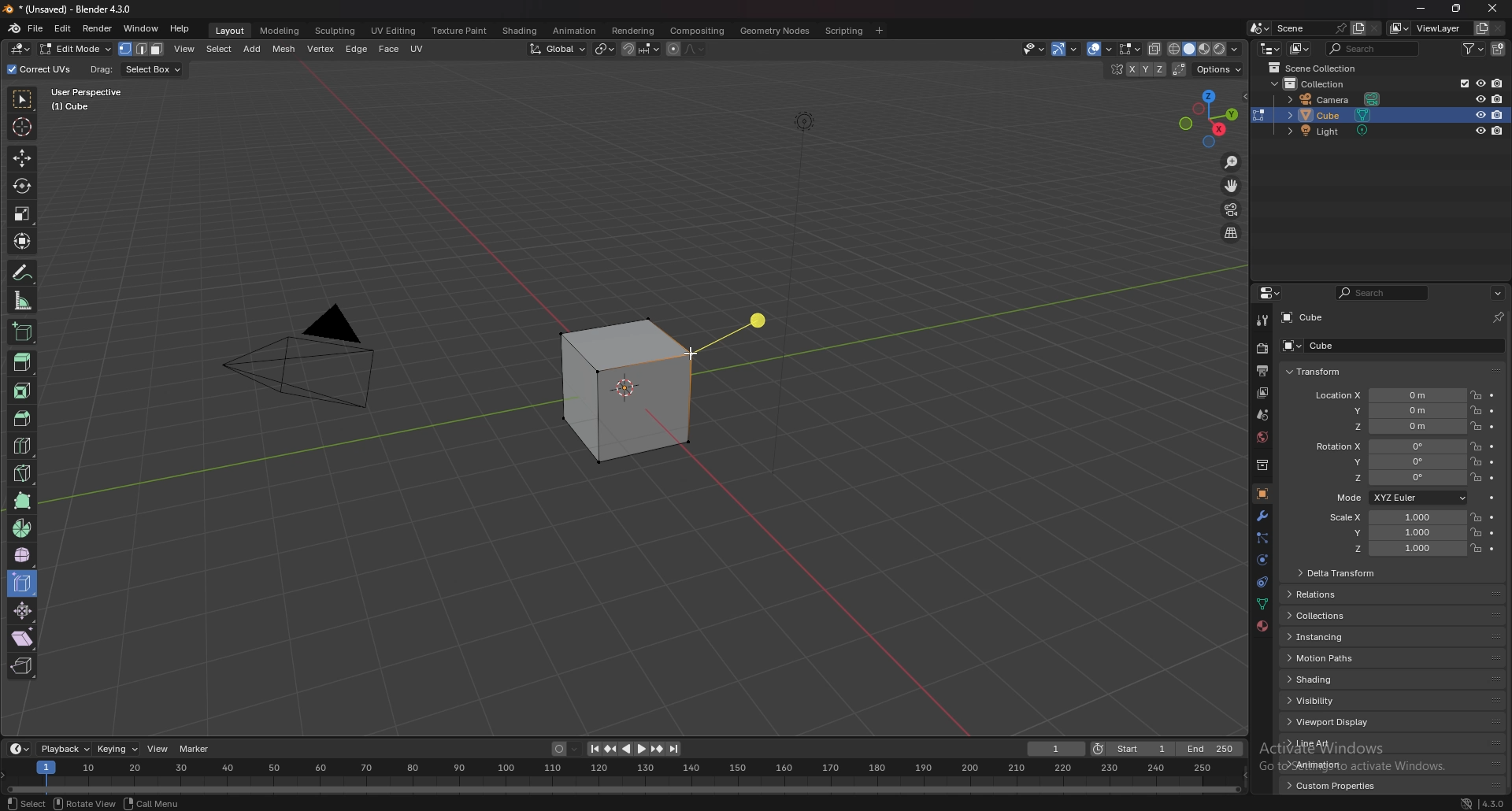 This screenshot has width=1512, height=811. What do you see at coordinates (1478, 131) in the screenshot?
I see `hide in viewport` at bounding box center [1478, 131].